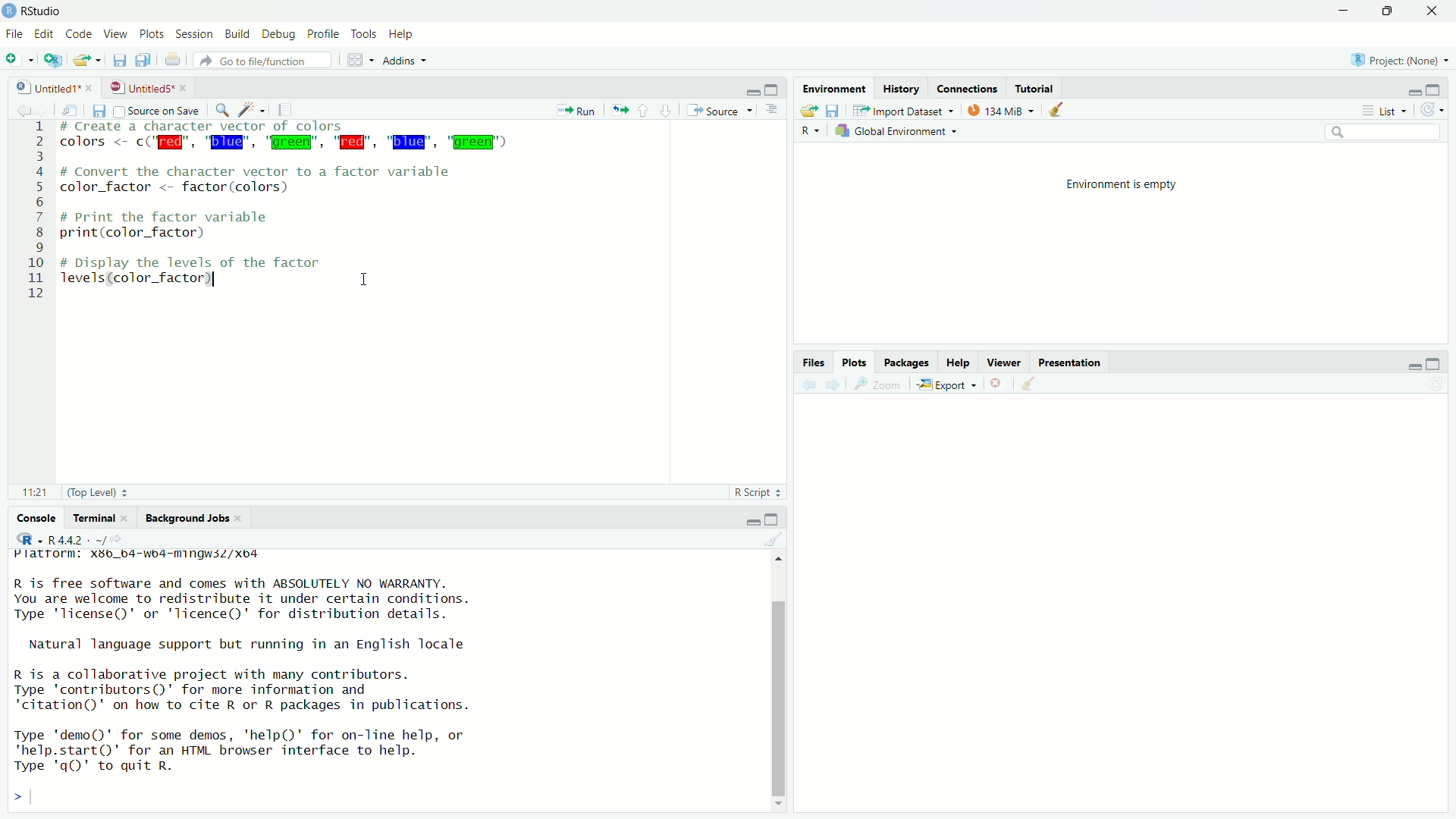  Describe the element at coordinates (1028, 384) in the screenshot. I see `clear all plots` at that location.